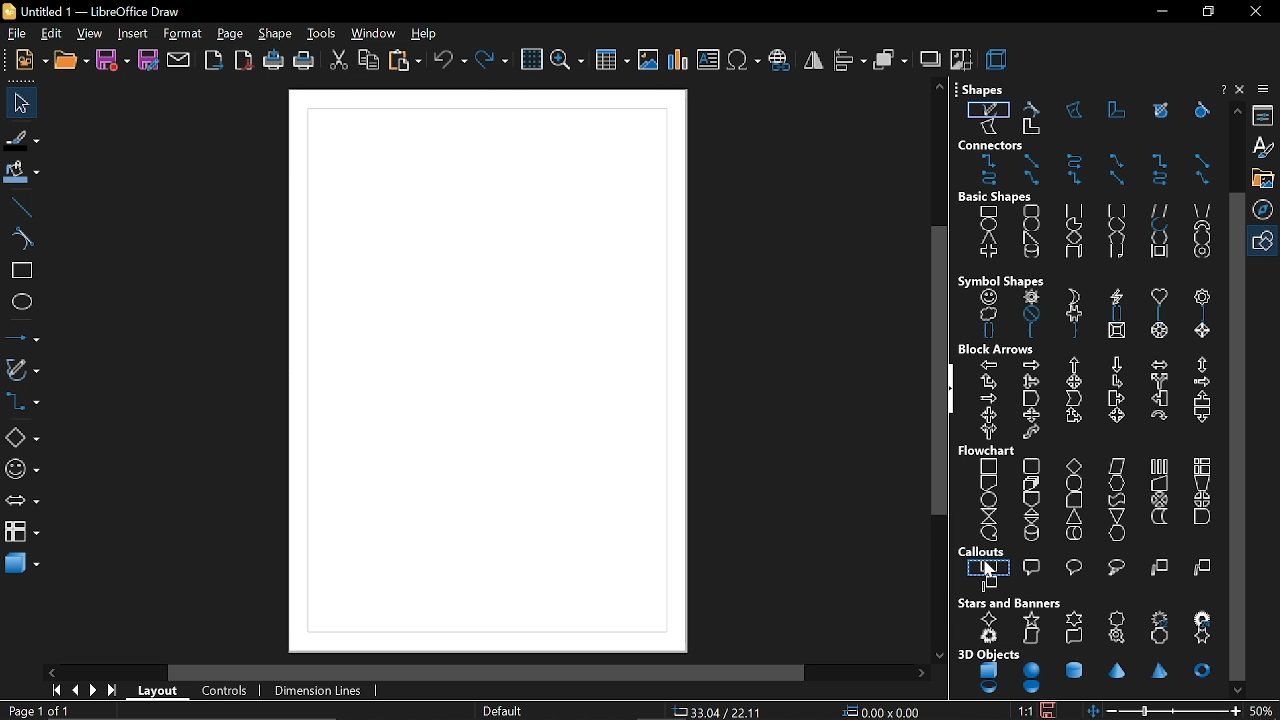 Image resolution: width=1280 pixels, height=720 pixels. Describe the element at coordinates (1158, 240) in the screenshot. I see `hexagon` at that location.